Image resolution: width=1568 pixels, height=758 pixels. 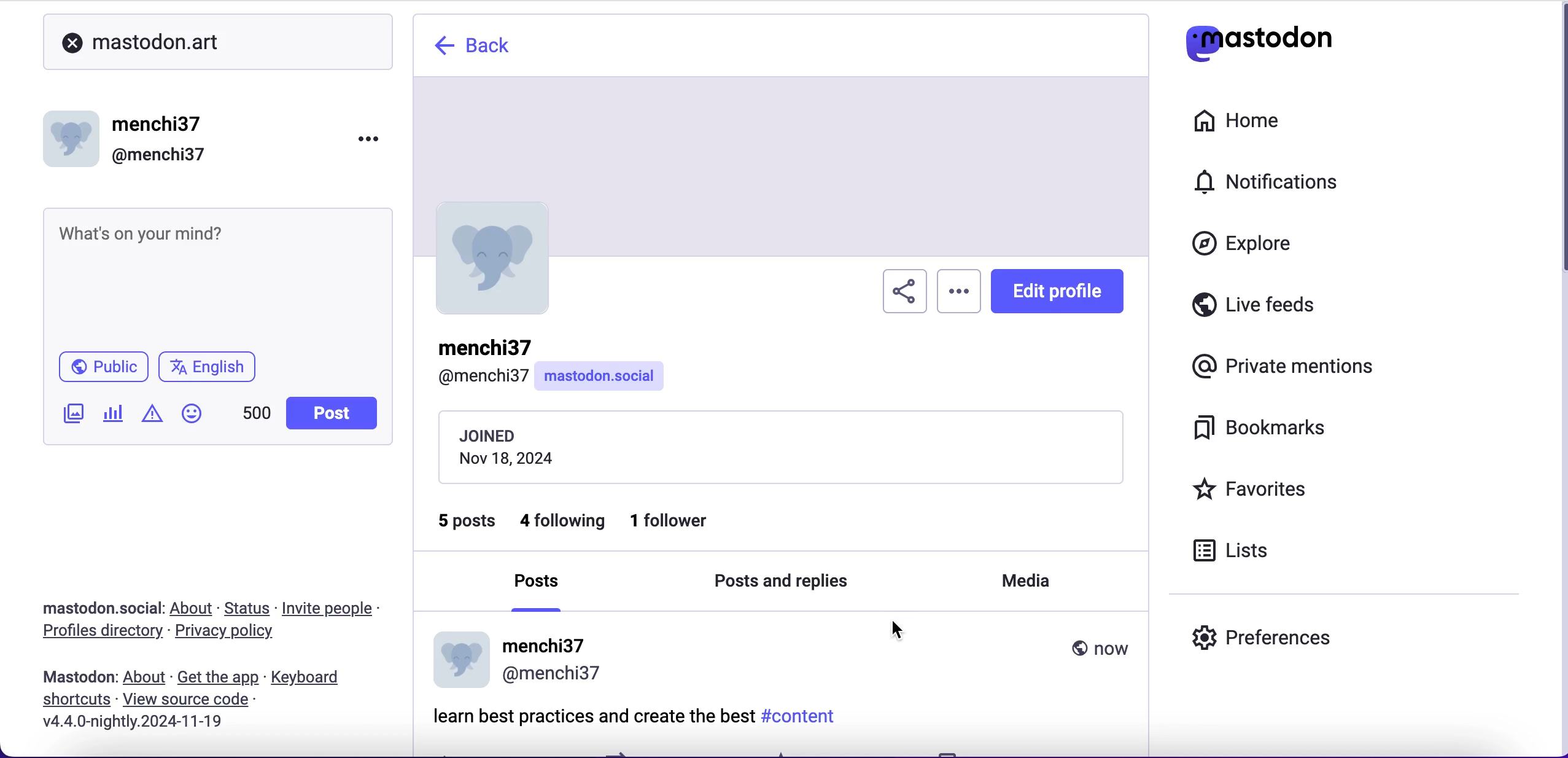 What do you see at coordinates (1057, 291) in the screenshot?
I see `edit profile` at bounding box center [1057, 291].